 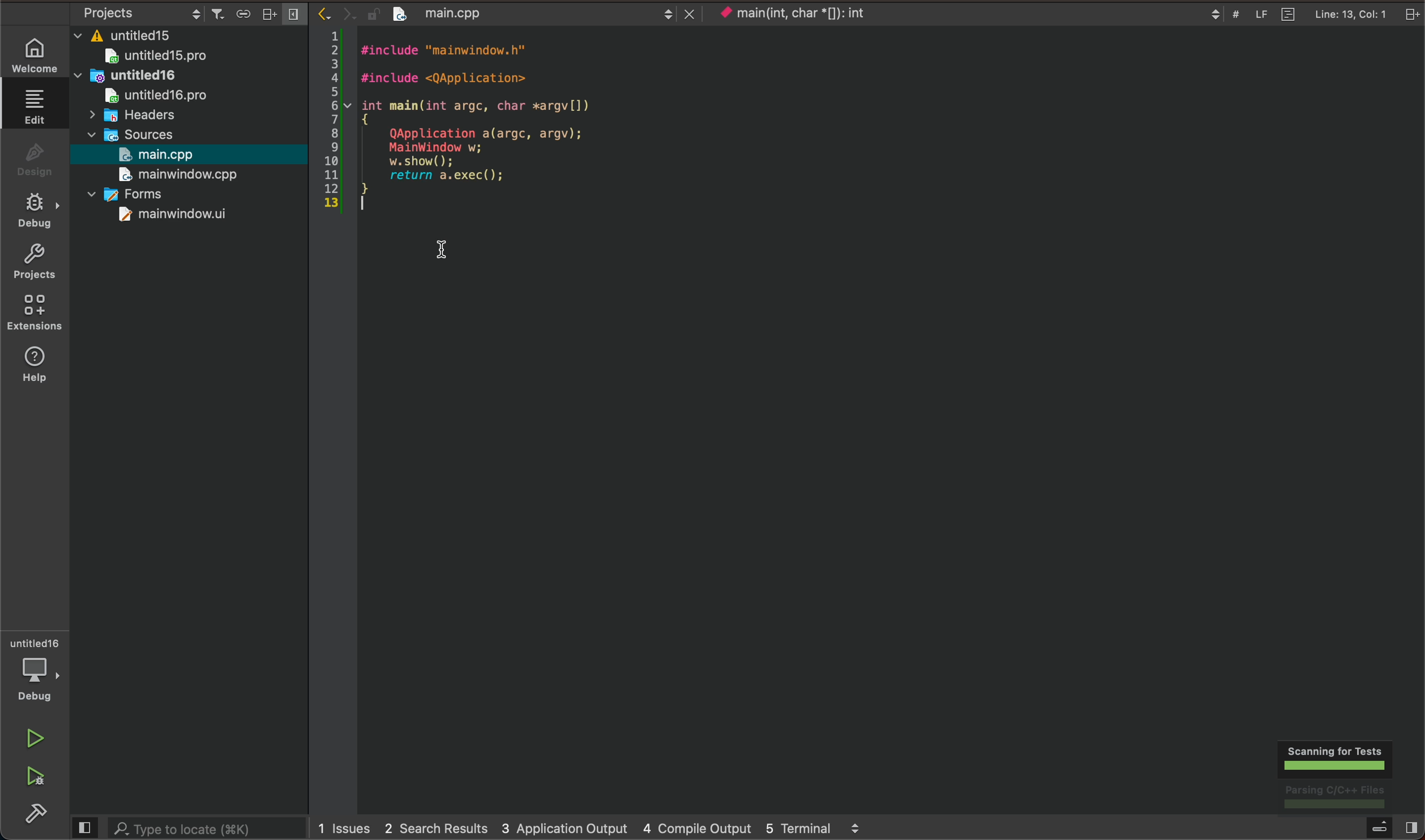 What do you see at coordinates (504, 13) in the screenshot?
I see `file name` at bounding box center [504, 13].